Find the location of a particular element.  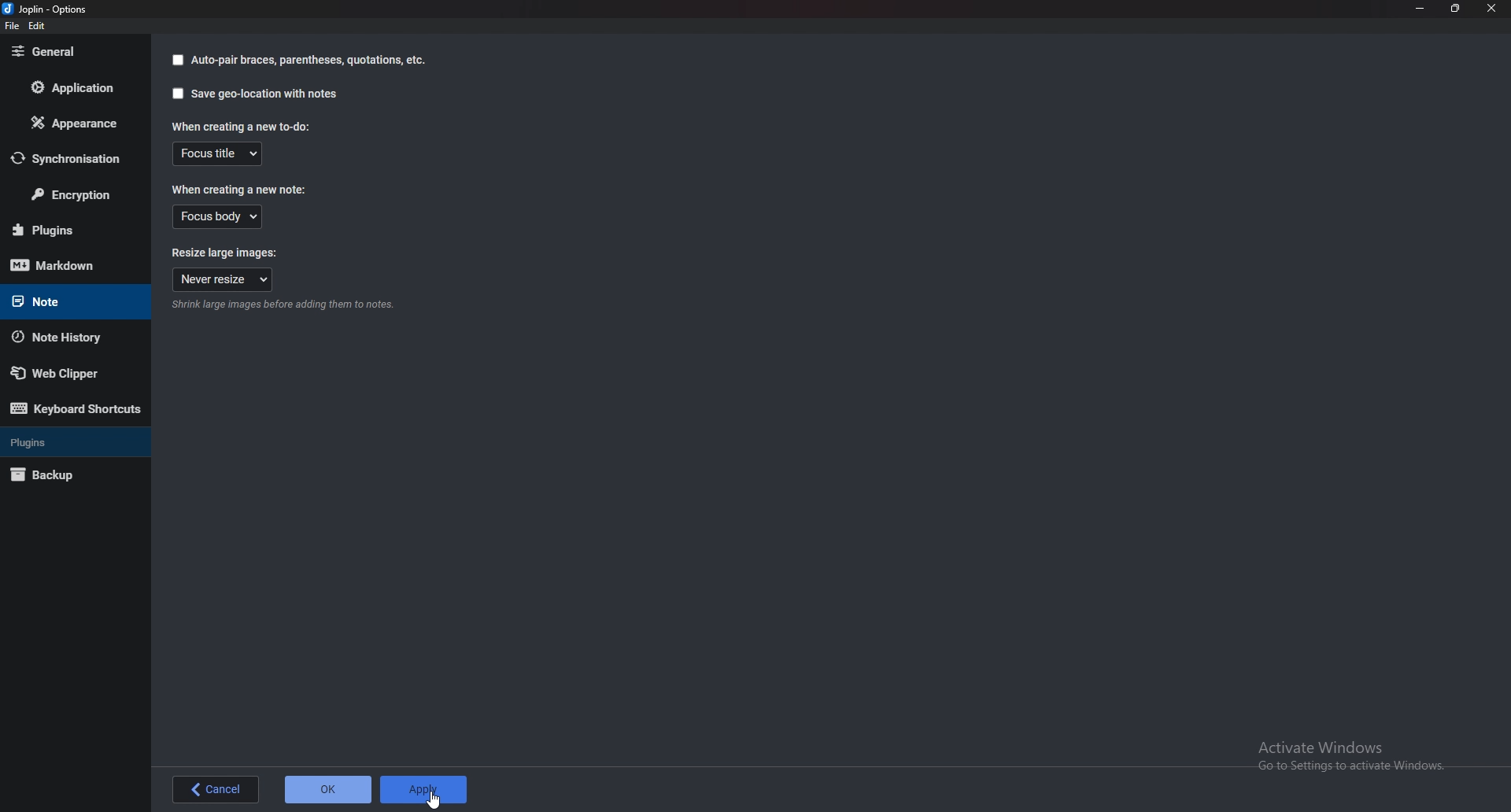

Plugins is located at coordinates (66, 230).